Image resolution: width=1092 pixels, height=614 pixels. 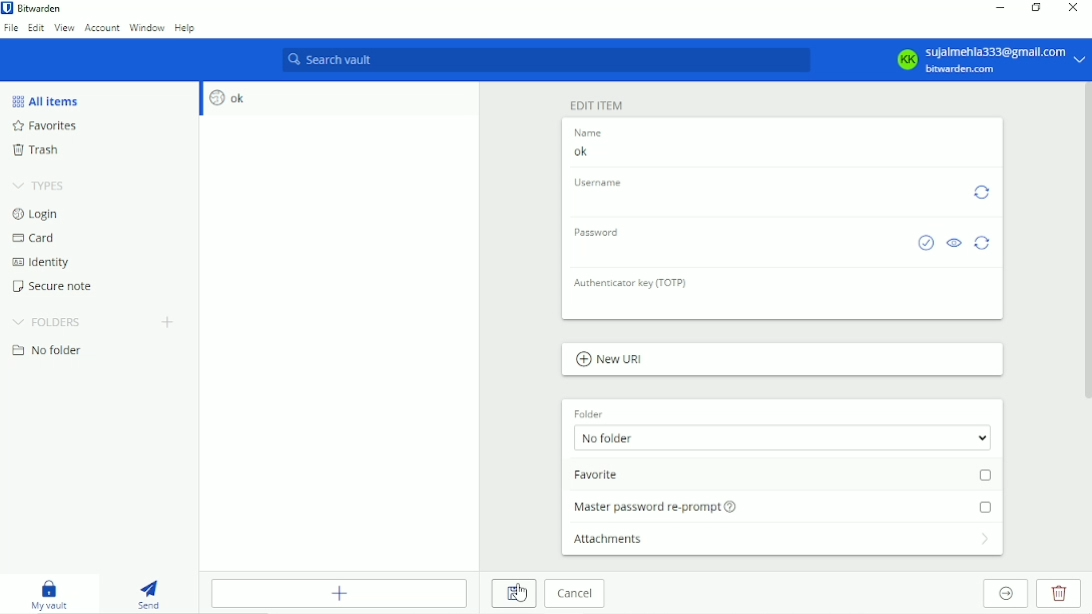 I want to click on Toggle visibility, so click(x=955, y=243).